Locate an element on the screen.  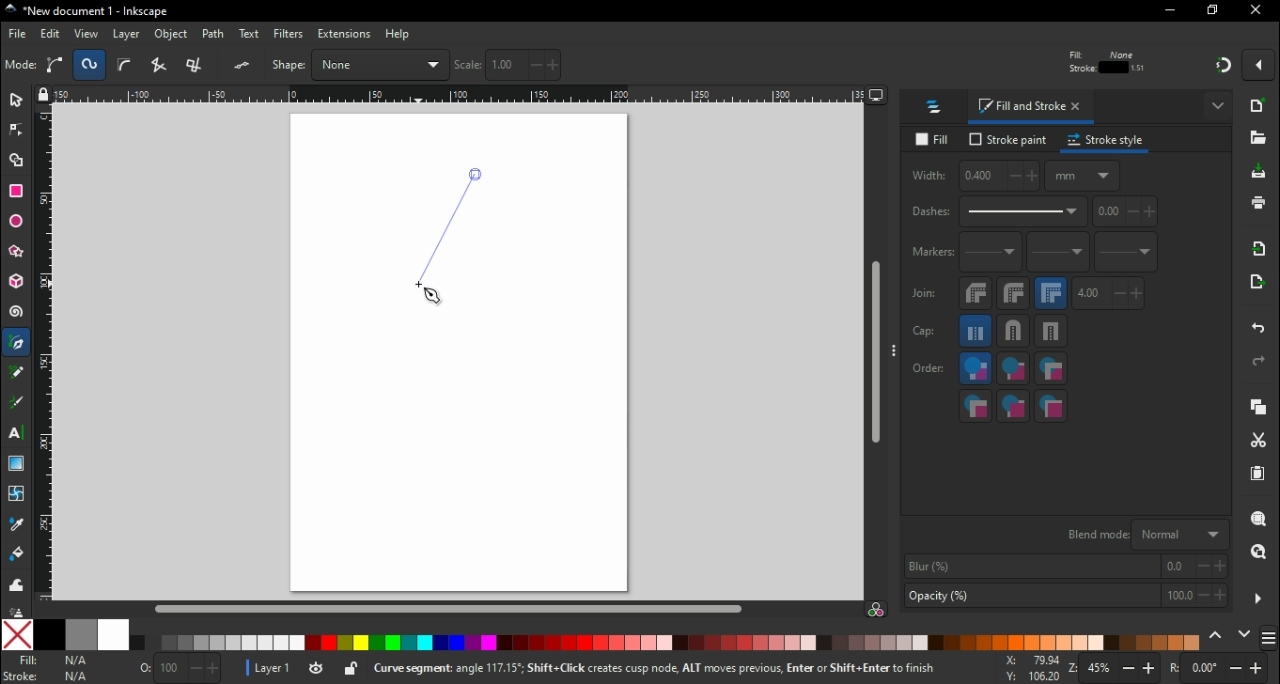
stroke style is located at coordinates (1108, 143).